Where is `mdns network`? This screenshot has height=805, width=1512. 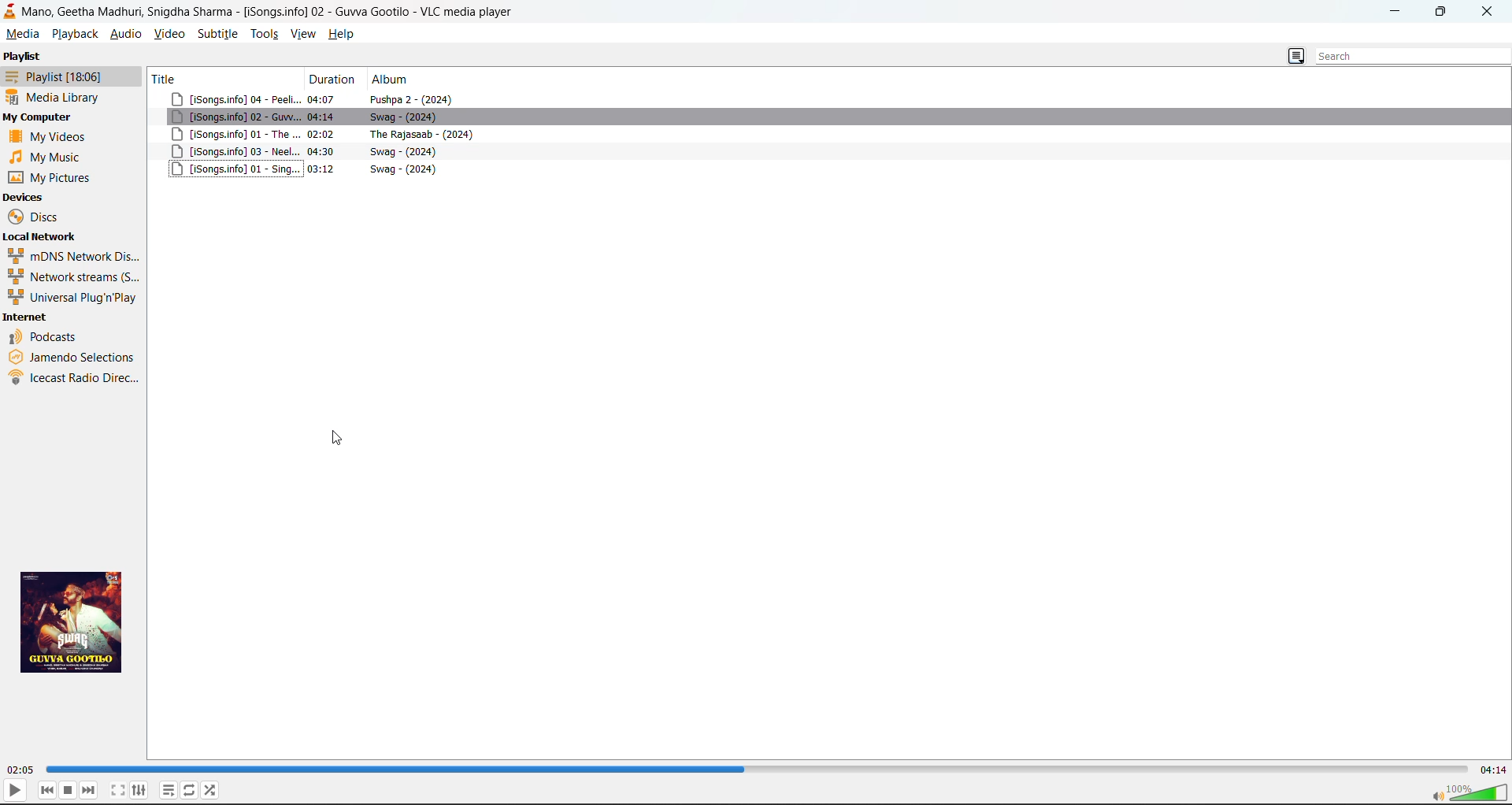 mdns network is located at coordinates (72, 255).